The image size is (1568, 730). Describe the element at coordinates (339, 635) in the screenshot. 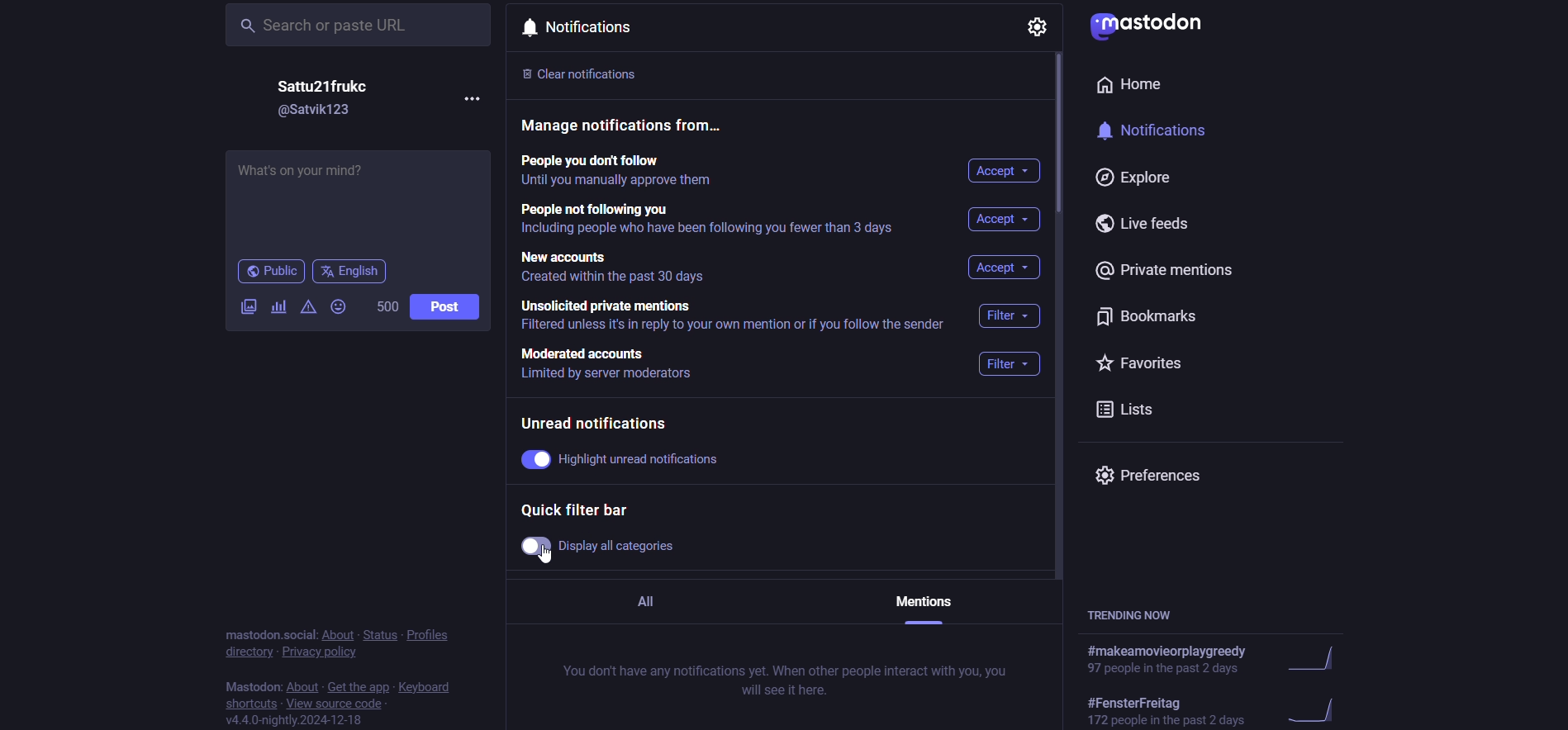

I see `about` at that location.